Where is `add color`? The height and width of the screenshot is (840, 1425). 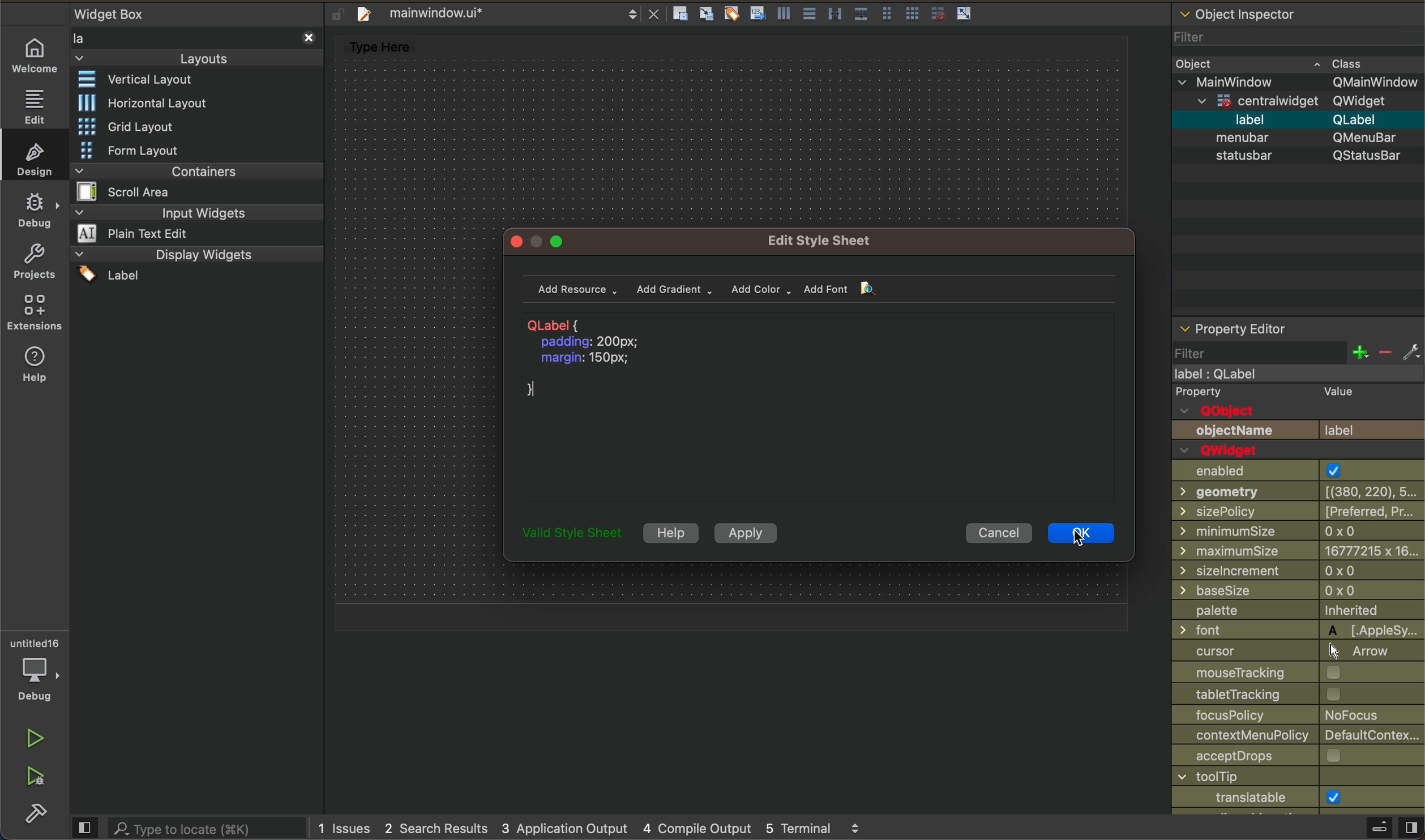 add color is located at coordinates (758, 289).